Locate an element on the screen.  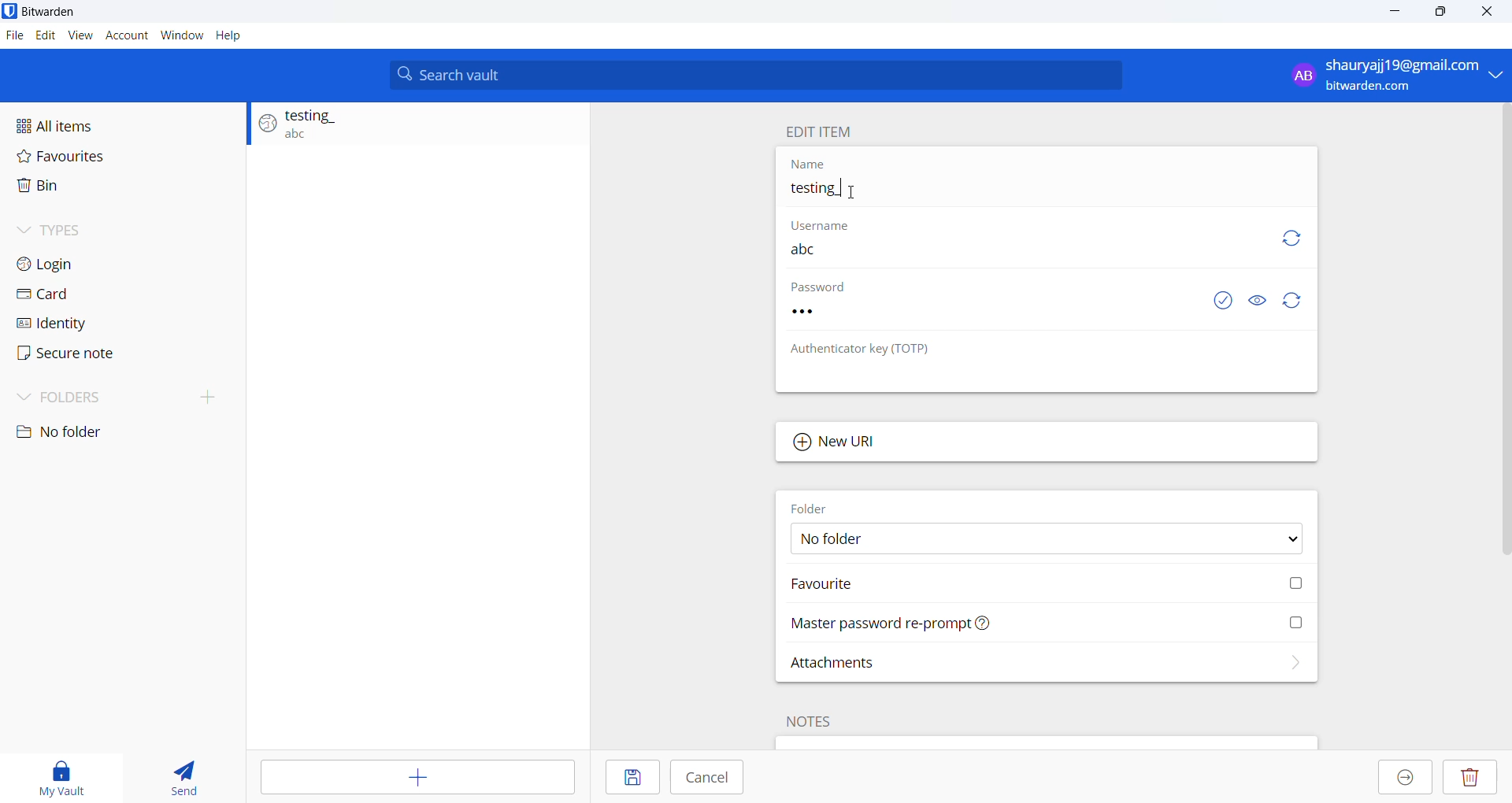
User name heading is located at coordinates (814, 227).